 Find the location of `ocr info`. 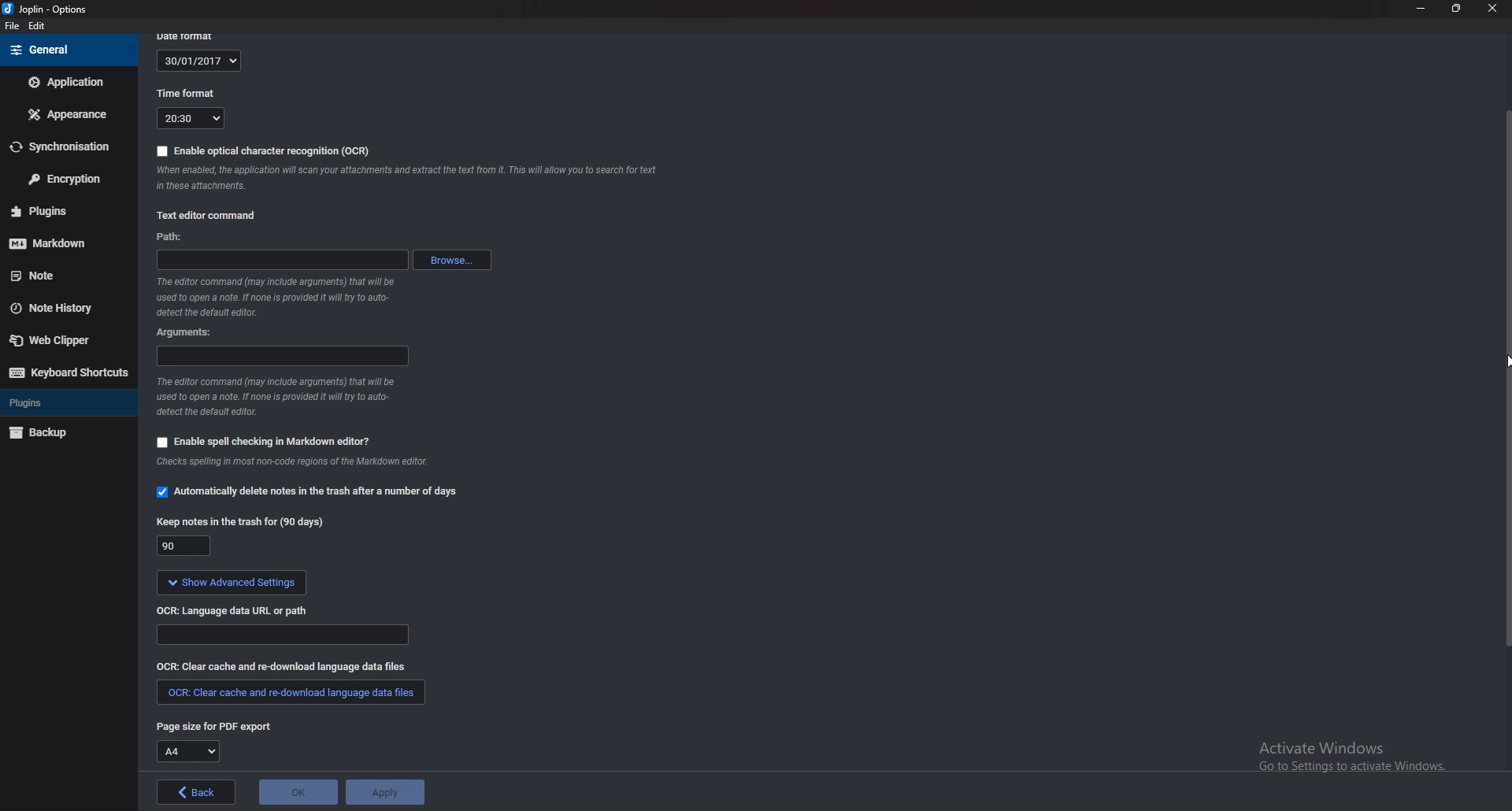

ocr info is located at coordinates (404, 176).